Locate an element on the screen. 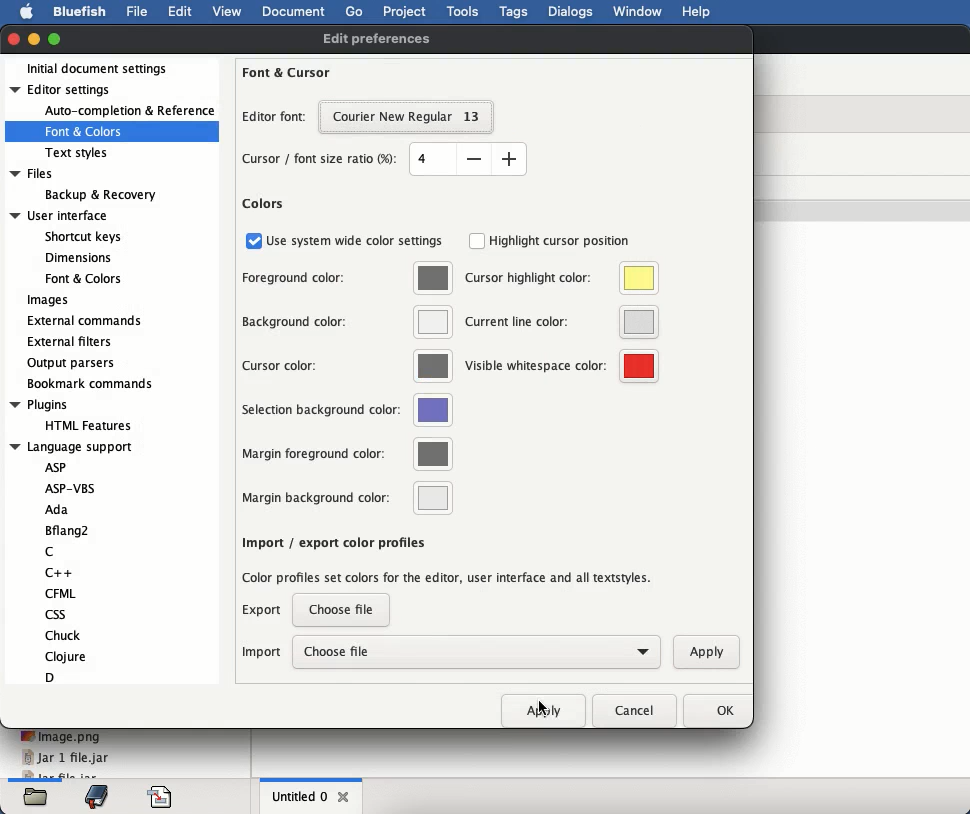  minimize is located at coordinates (34, 39).